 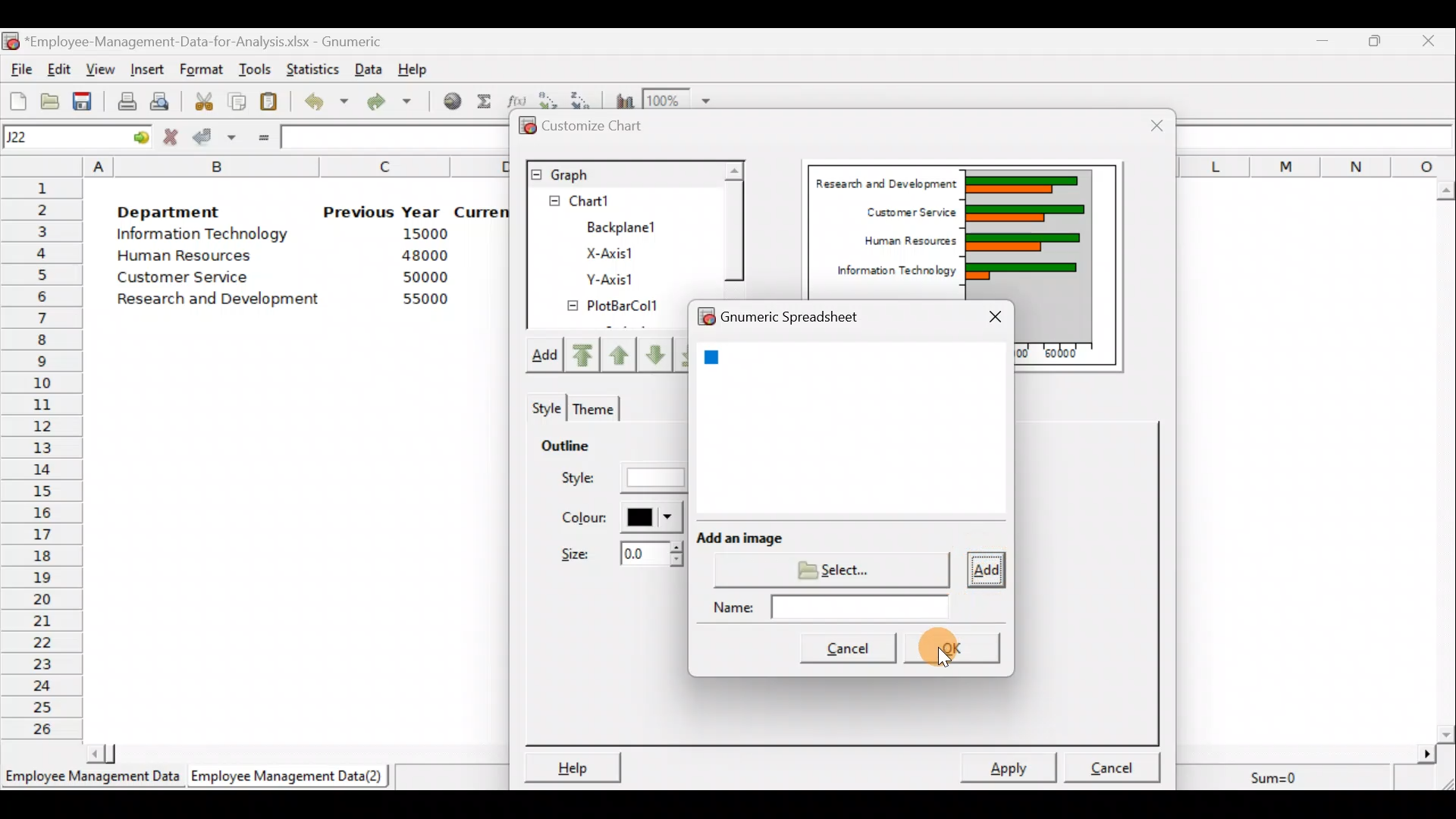 What do you see at coordinates (837, 569) in the screenshot?
I see `Select` at bounding box center [837, 569].